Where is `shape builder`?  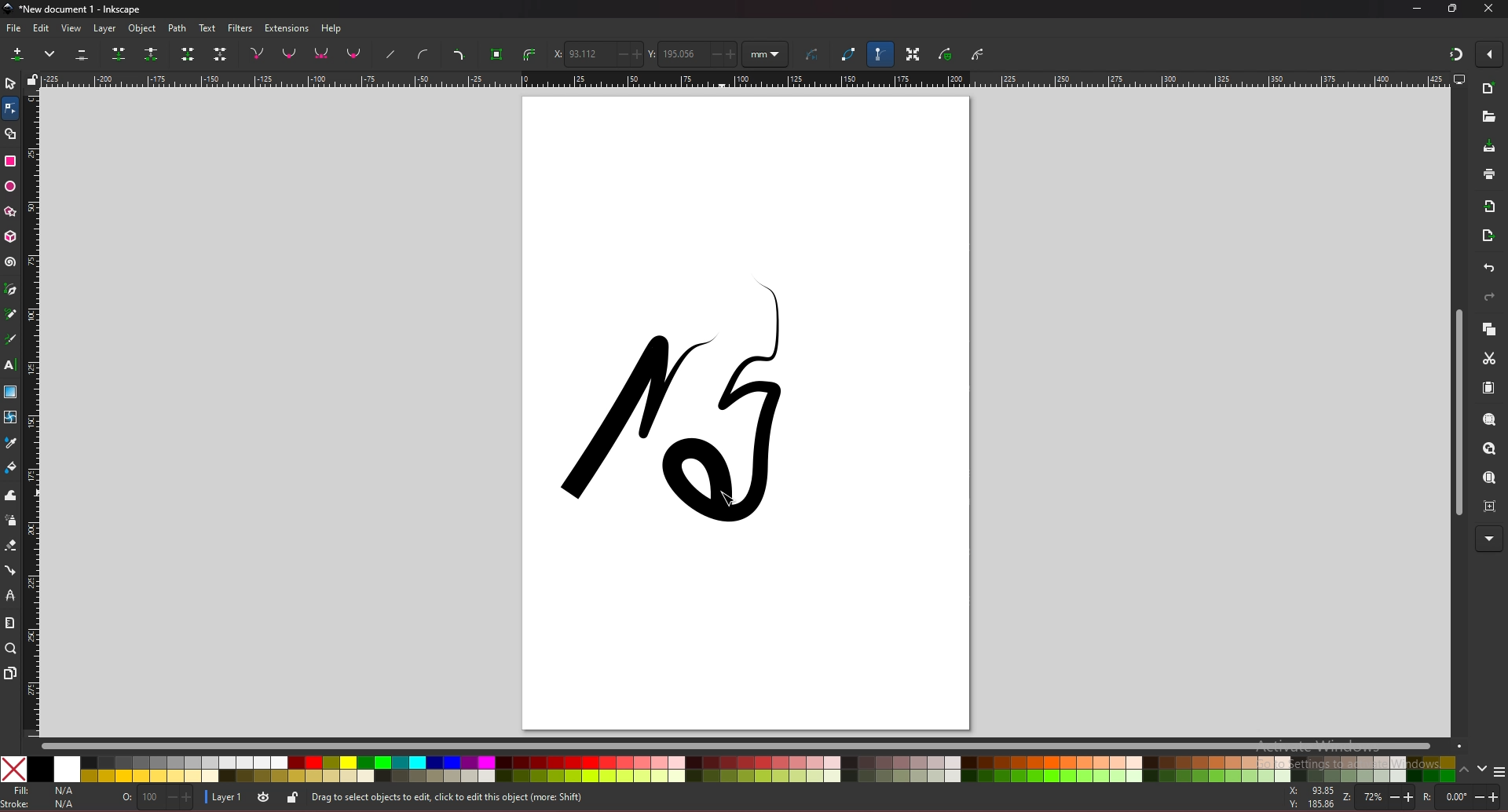 shape builder is located at coordinates (11, 134).